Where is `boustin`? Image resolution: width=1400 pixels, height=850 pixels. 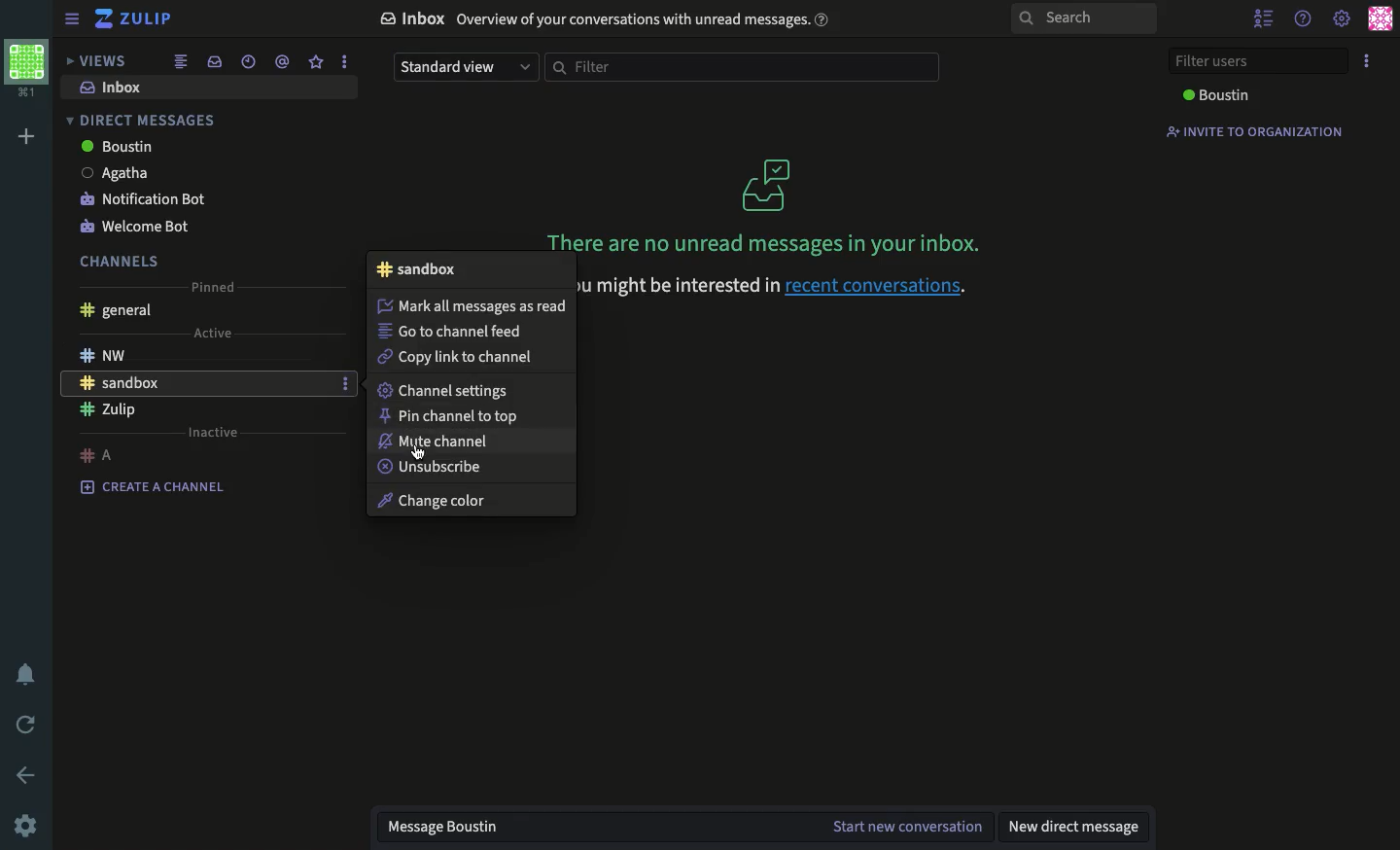
boustin is located at coordinates (1213, 96).